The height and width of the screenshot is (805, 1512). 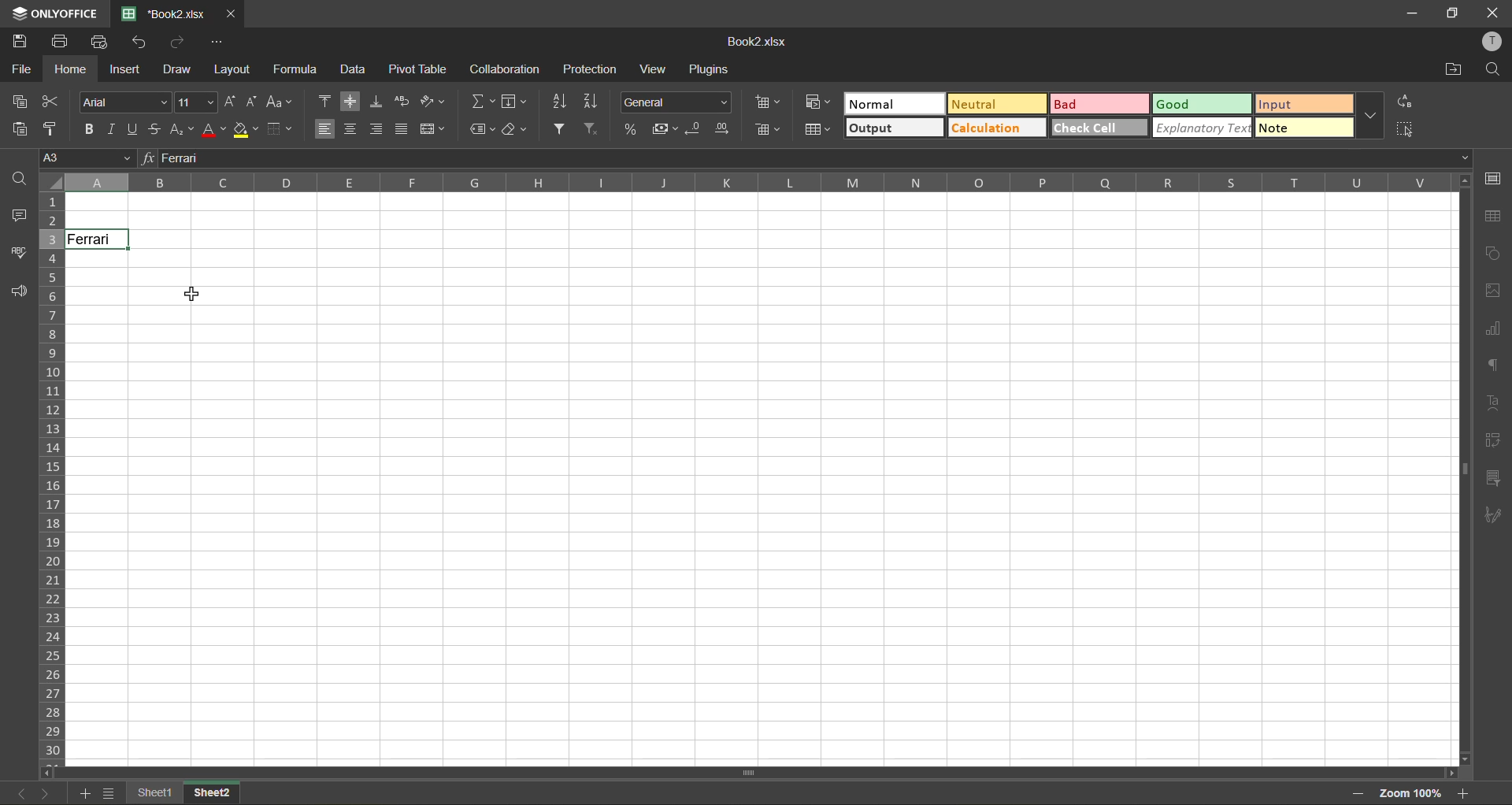 What do you see at coordinates (50, 794) in the screenshot?
I see `next` at bounding box center [50, 794].